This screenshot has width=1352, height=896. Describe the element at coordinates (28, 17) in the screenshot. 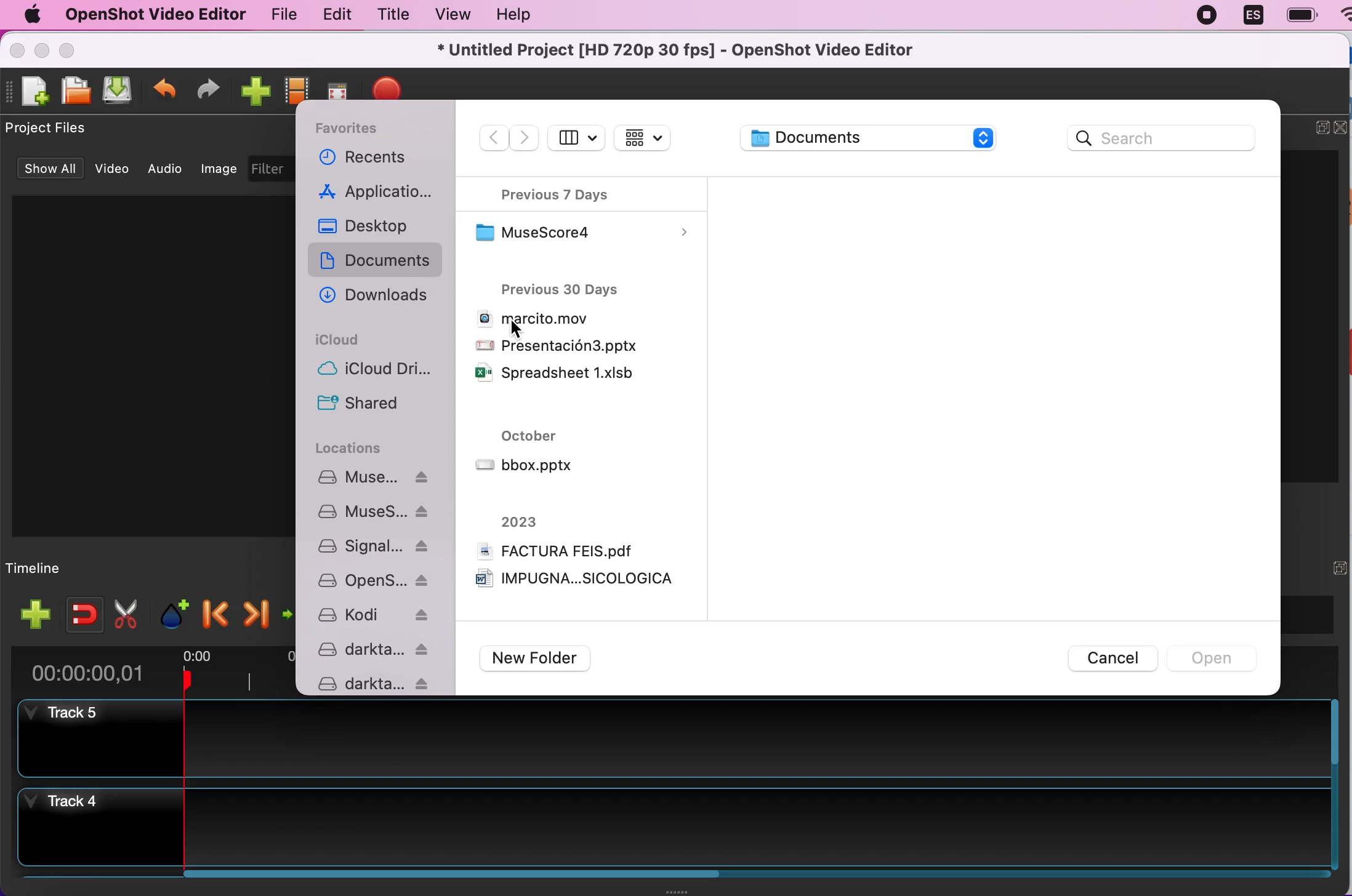

I see `mac logo` at that location.